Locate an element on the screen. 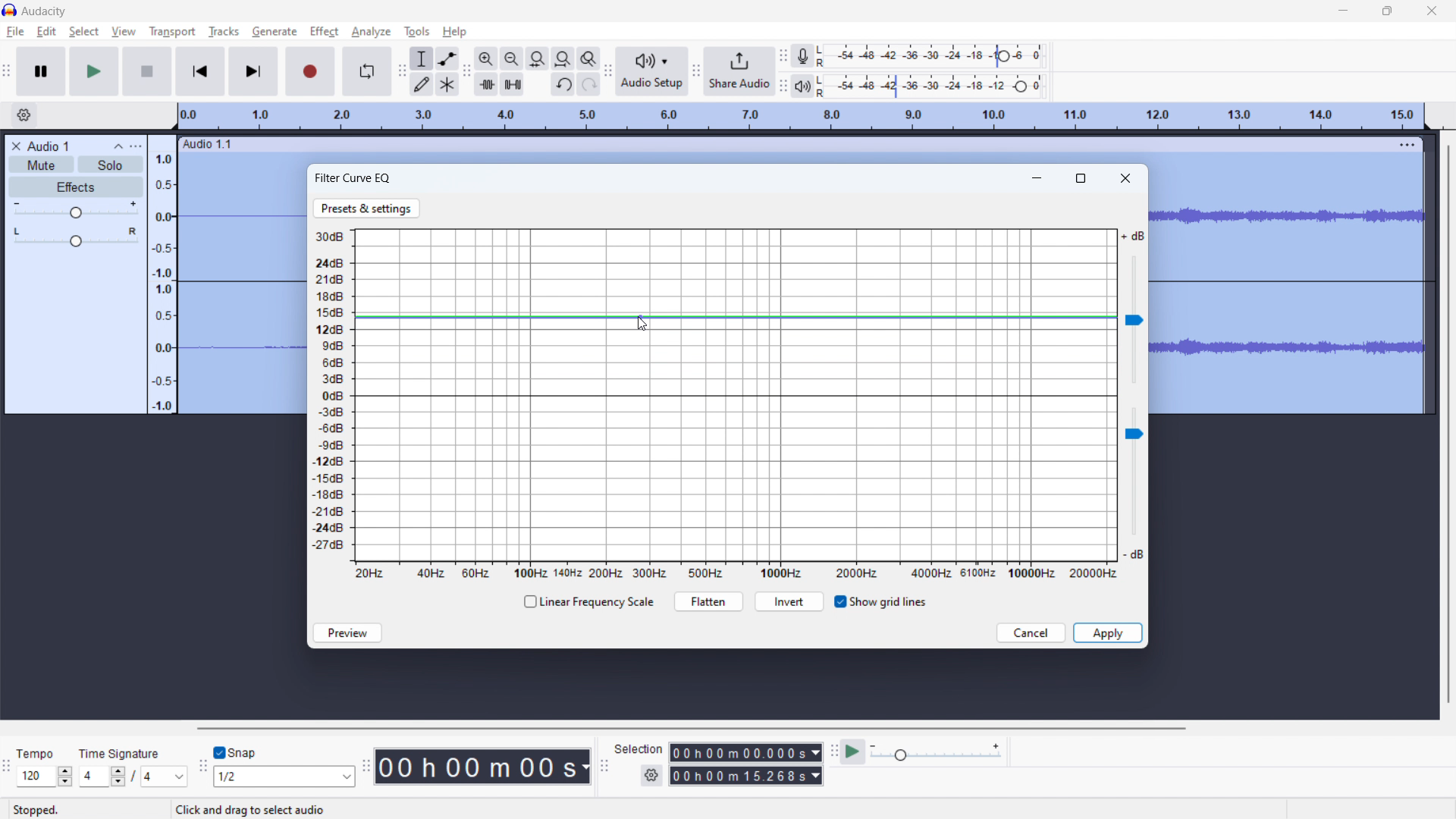 The width and height of the screenshot is (1456, 819). project title is located at coordinates (49, 146).